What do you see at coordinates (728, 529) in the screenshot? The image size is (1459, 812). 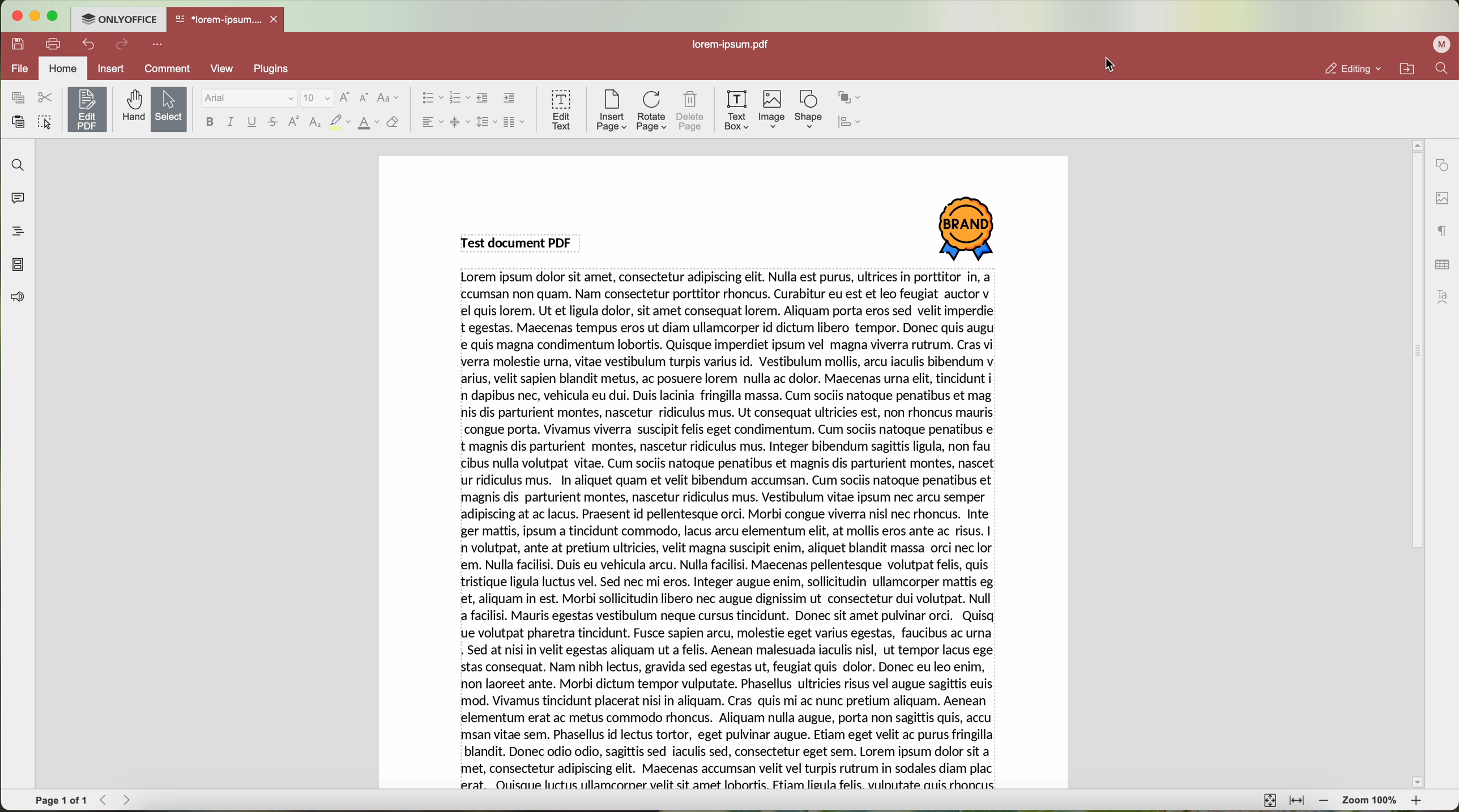 I see `Test document PDF content.` at bounding box center [728, 529].